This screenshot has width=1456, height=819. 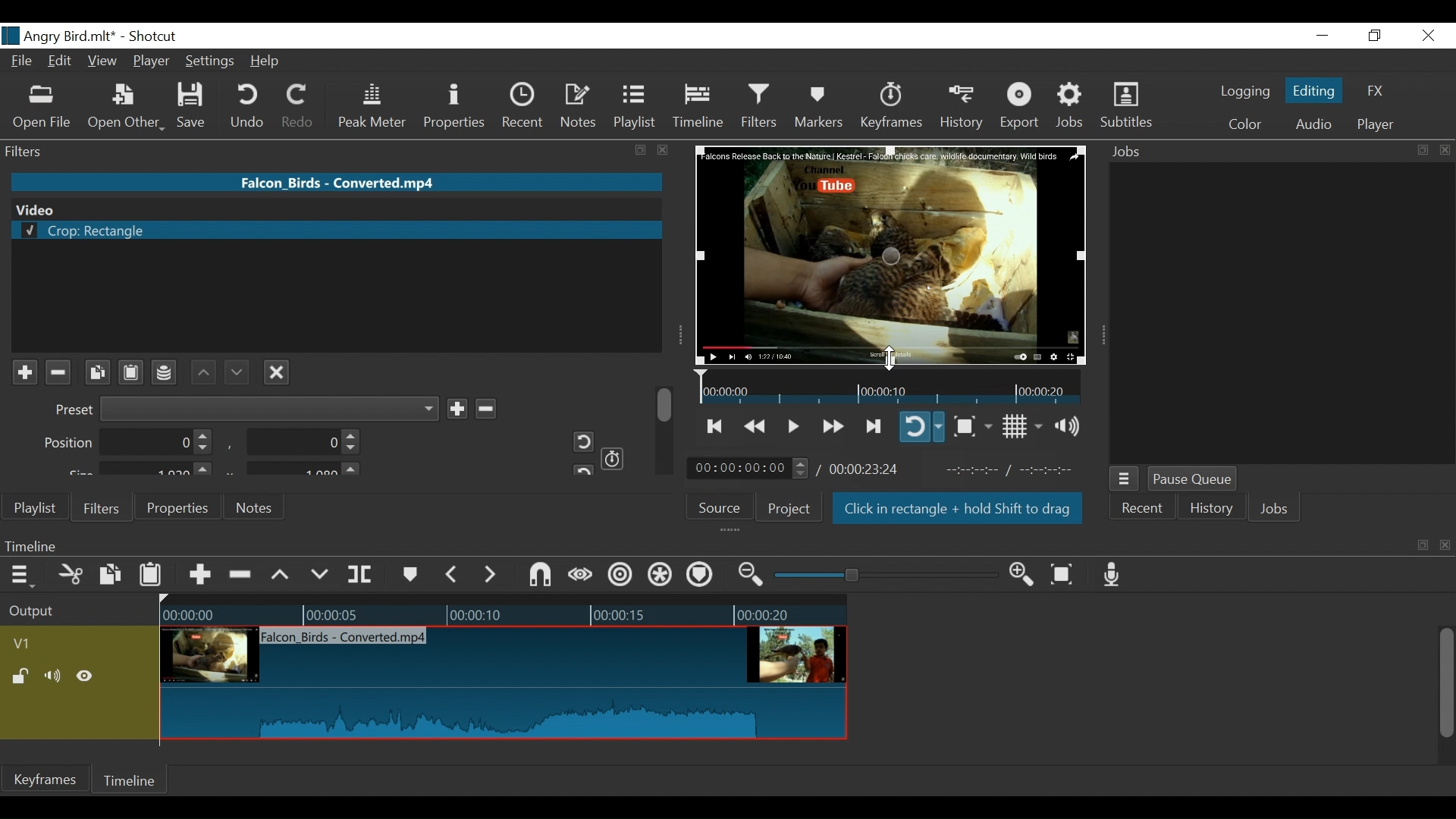 What do you see at coordinates (1421, 150) in the screenshot?
I see `copy` at bounding box center [1421, 150].